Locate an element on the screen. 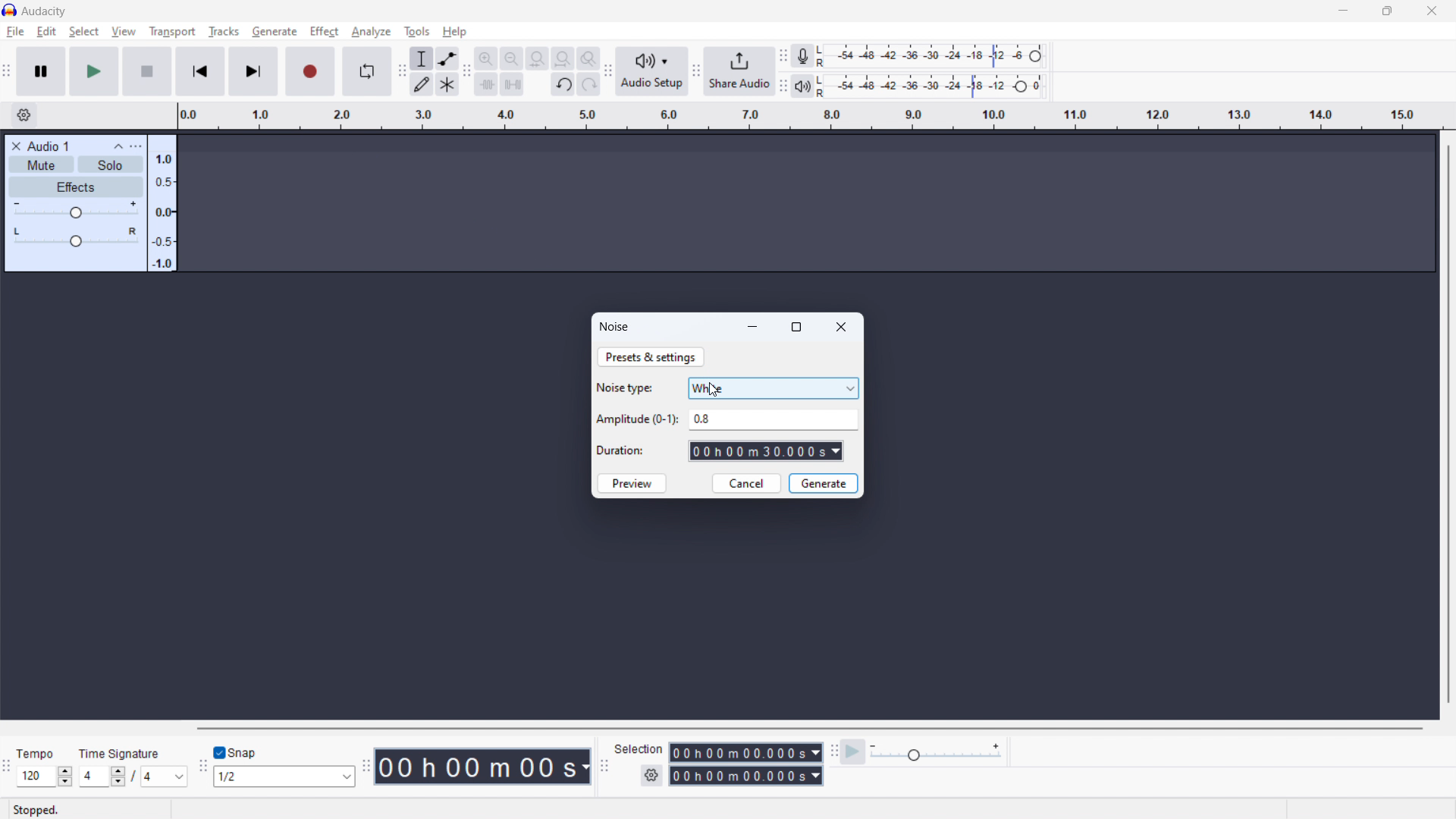  amplitude is located at coordinates (162, 204).